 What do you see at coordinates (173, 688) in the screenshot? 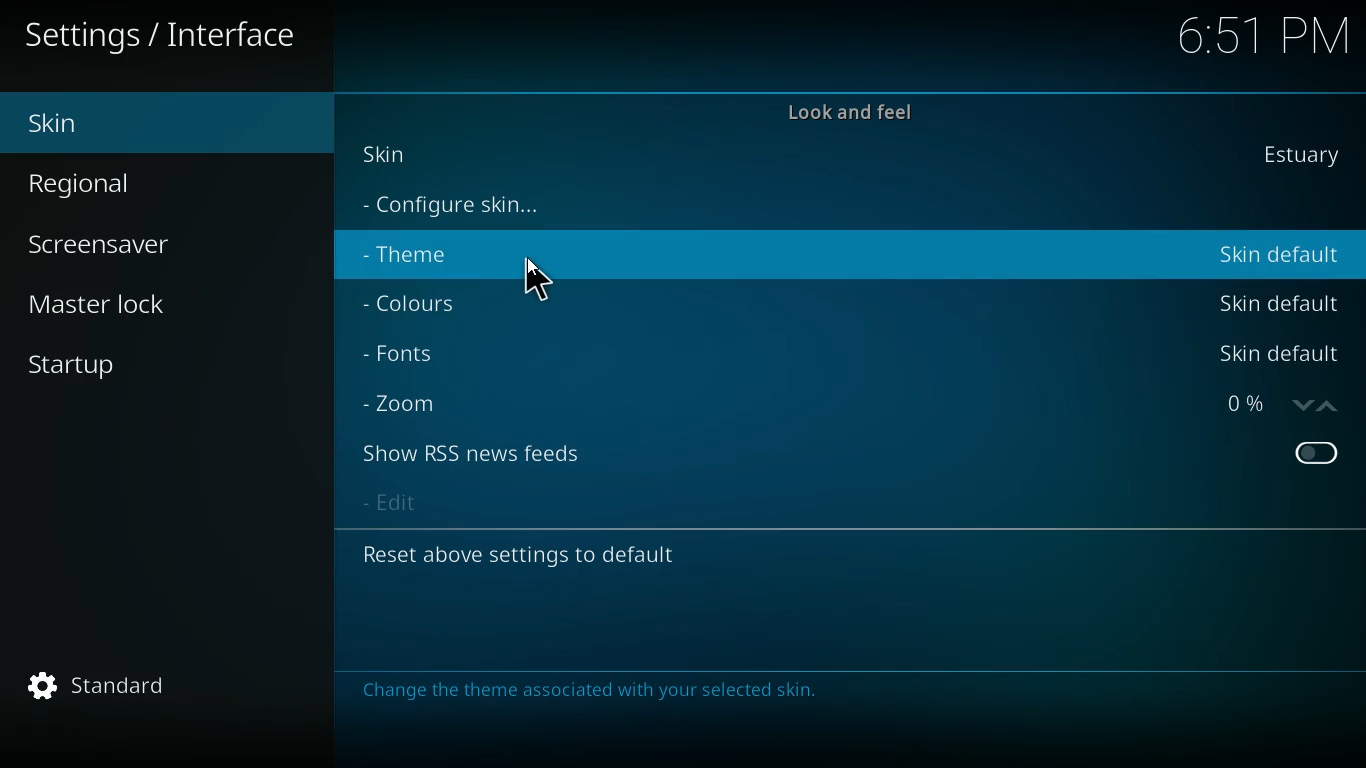
I see `standard` at bounding box center [173, 688].